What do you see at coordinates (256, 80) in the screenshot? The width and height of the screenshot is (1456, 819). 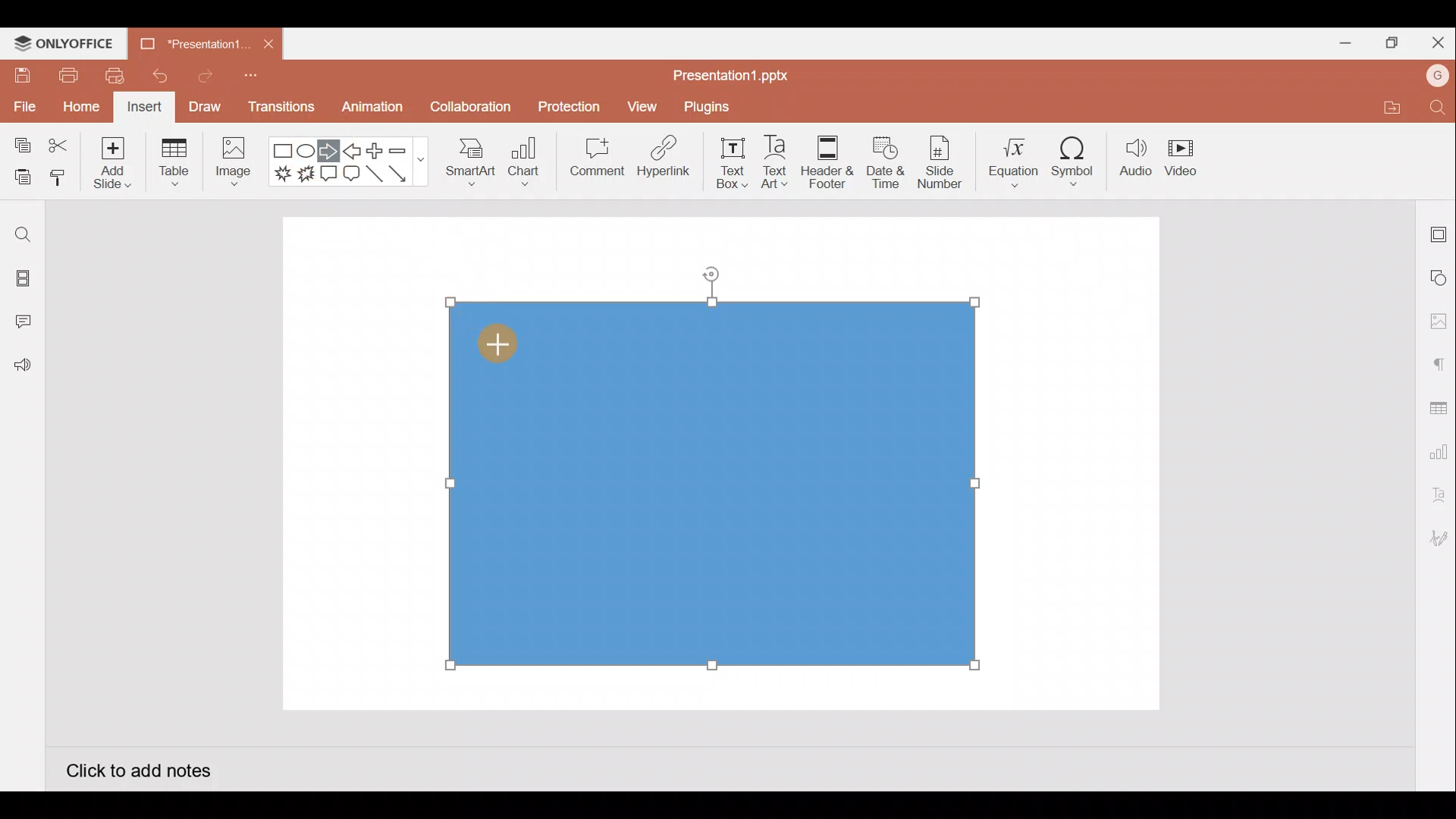 I see `Customize quick access toolbar` at bounding box center [256, 80].